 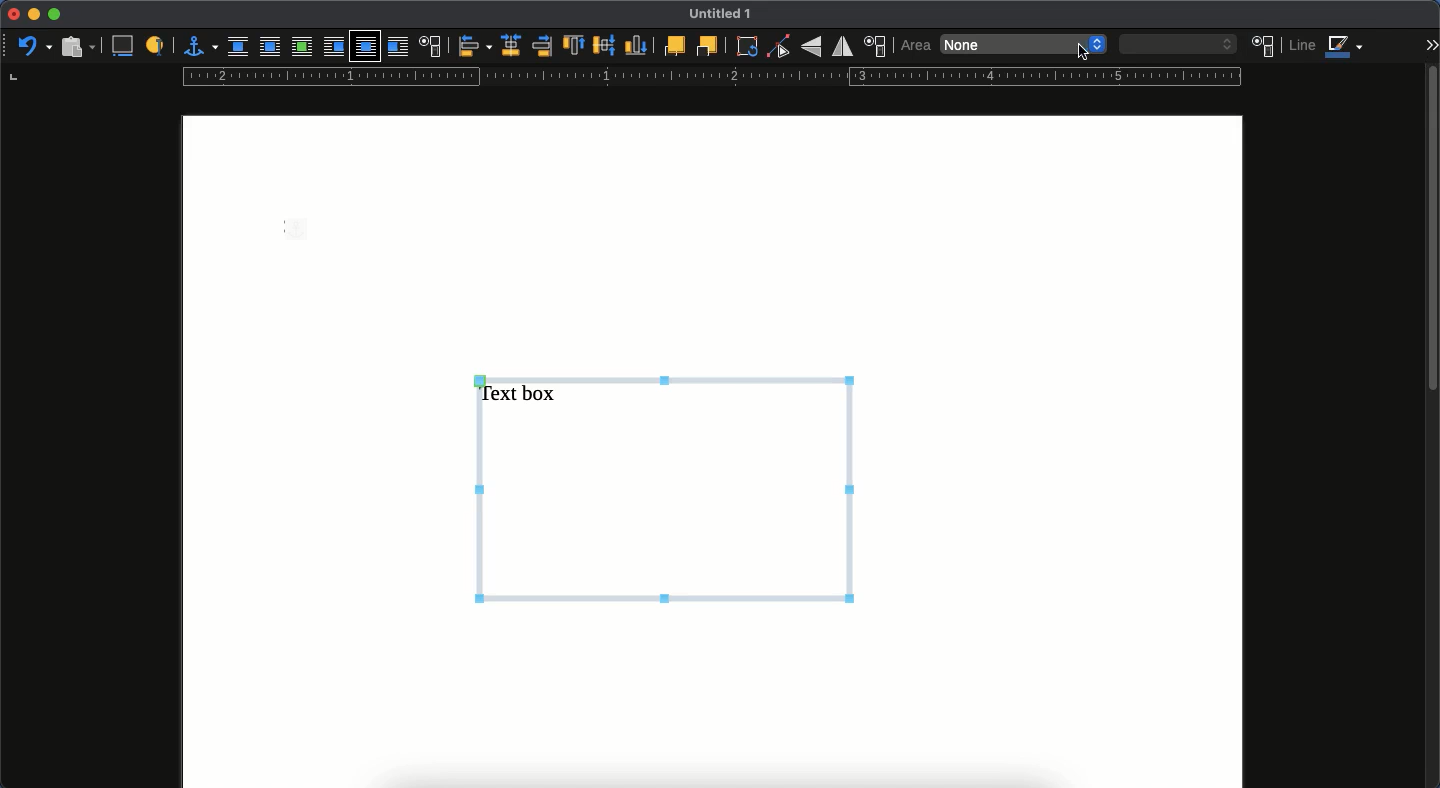 I want to click on right, so click(x=541, y=47).